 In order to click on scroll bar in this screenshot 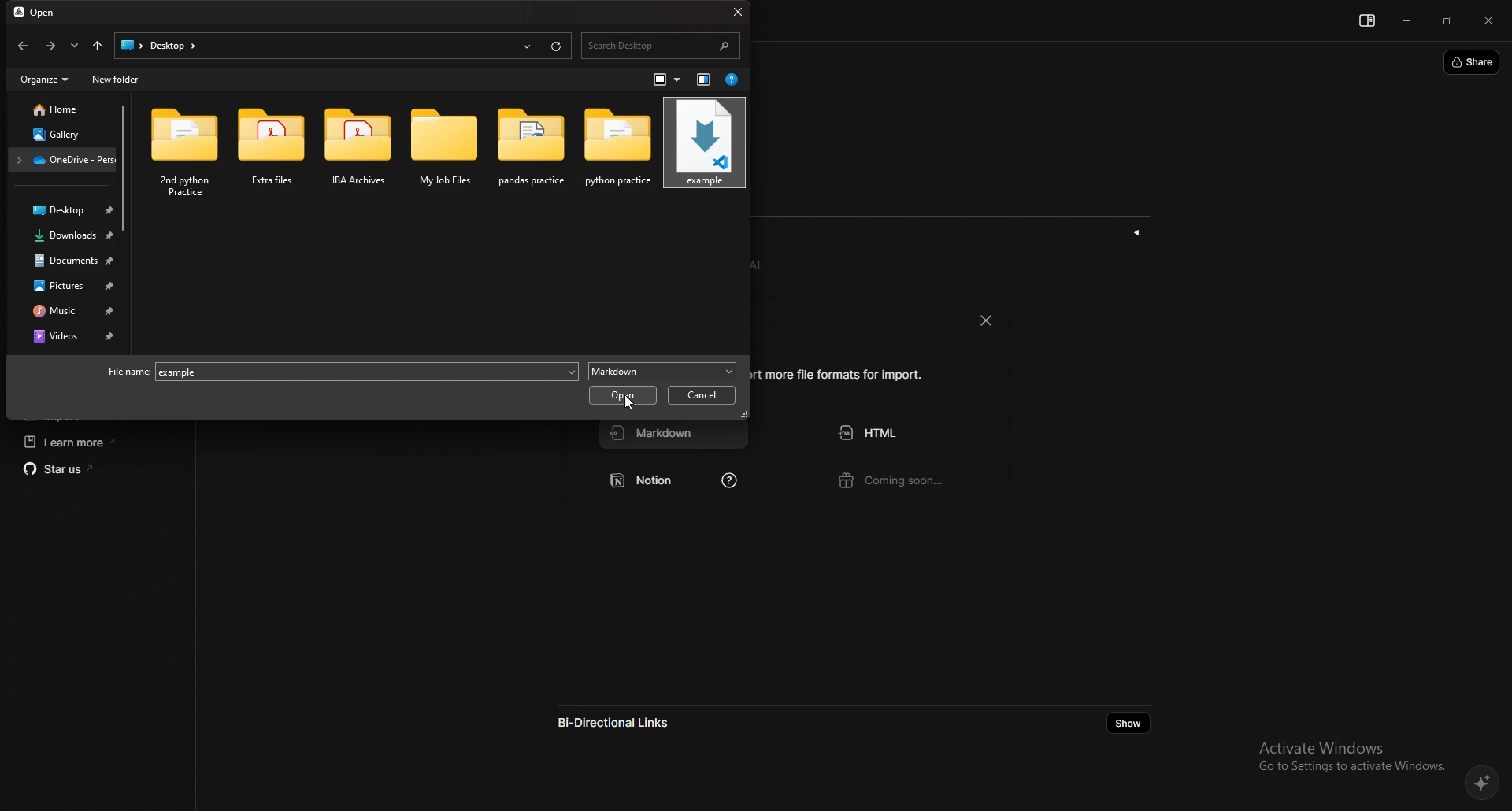, I will do `click(124, 168)`.